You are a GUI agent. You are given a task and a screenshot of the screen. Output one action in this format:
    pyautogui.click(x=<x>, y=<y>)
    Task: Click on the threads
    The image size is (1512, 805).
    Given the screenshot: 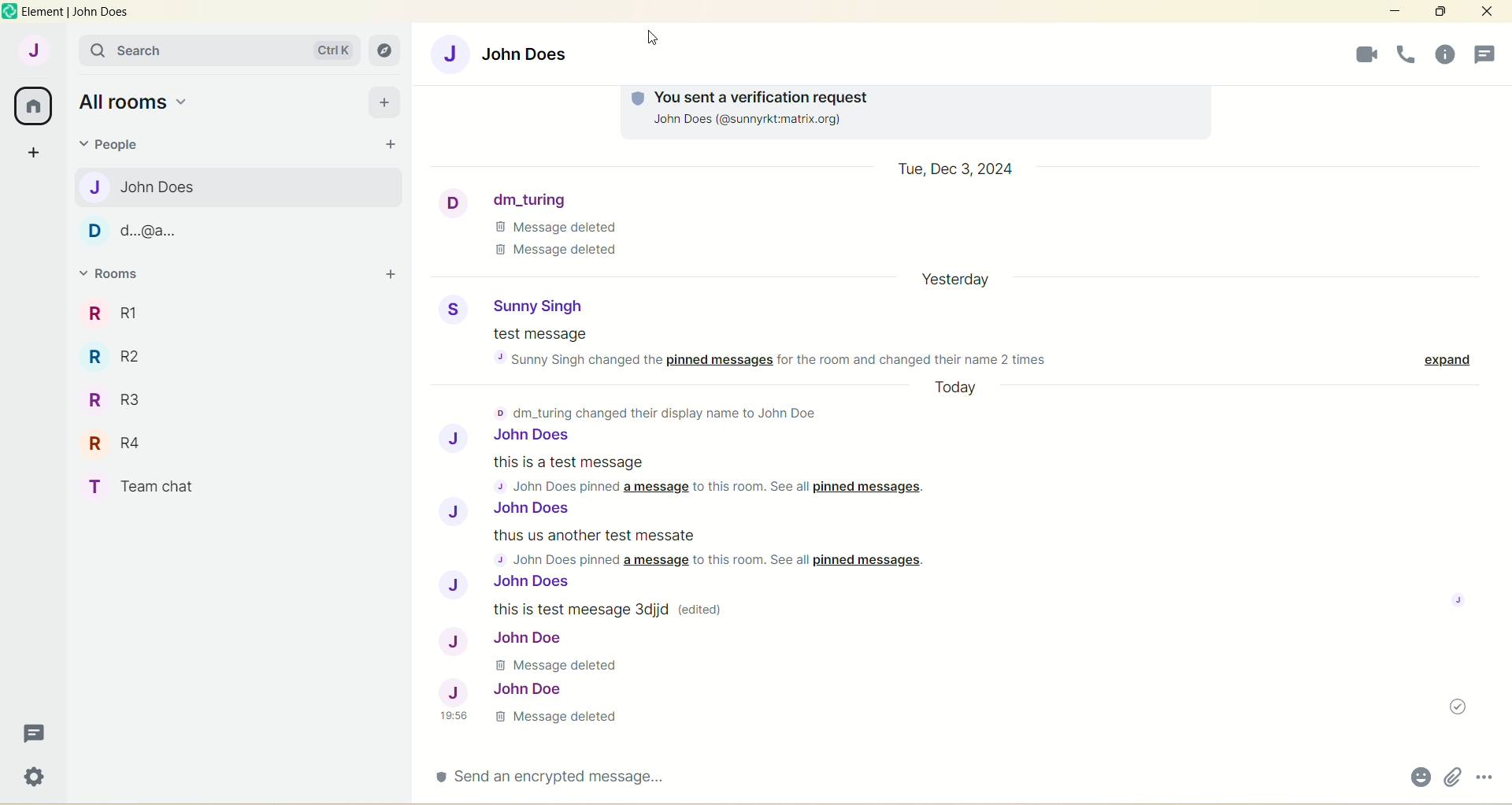 What is the action you would take?
    pyautogui.click(x=31, y=733)
    